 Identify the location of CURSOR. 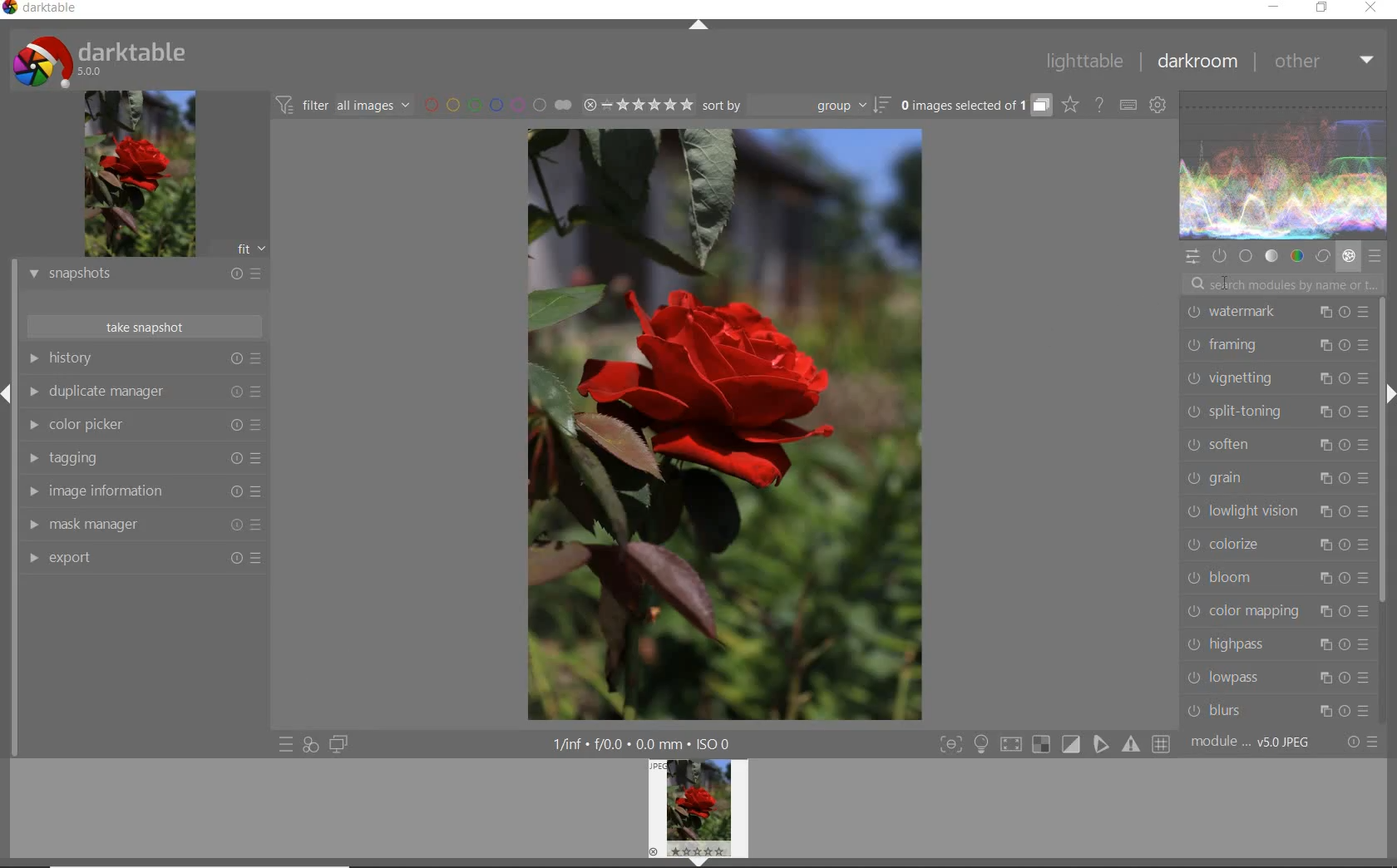
(1226, 286).